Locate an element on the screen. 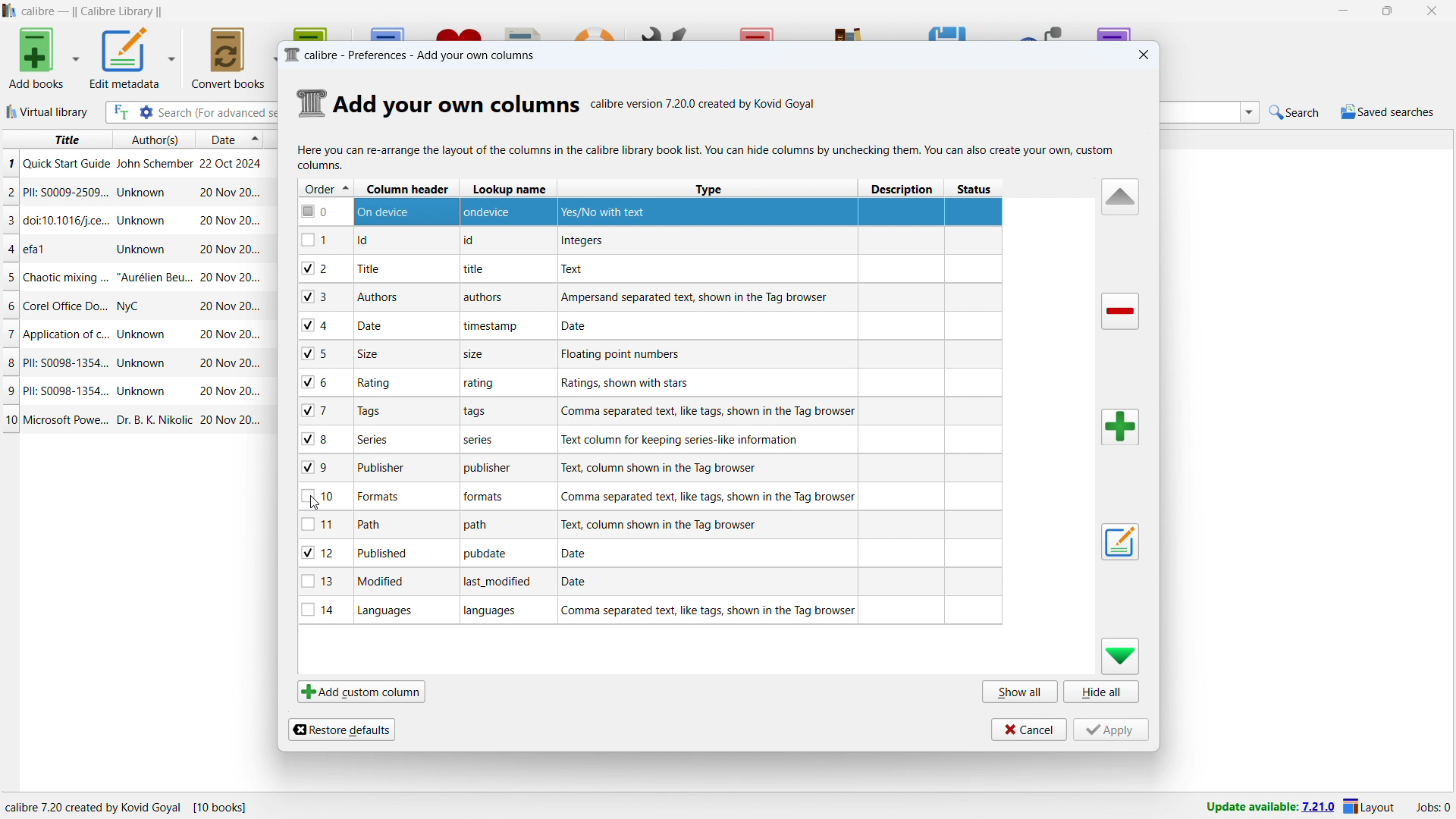 Image resolution: width=1456 pixels, height=819 pixels. edit metadata options is located at coordinates (172, 55).